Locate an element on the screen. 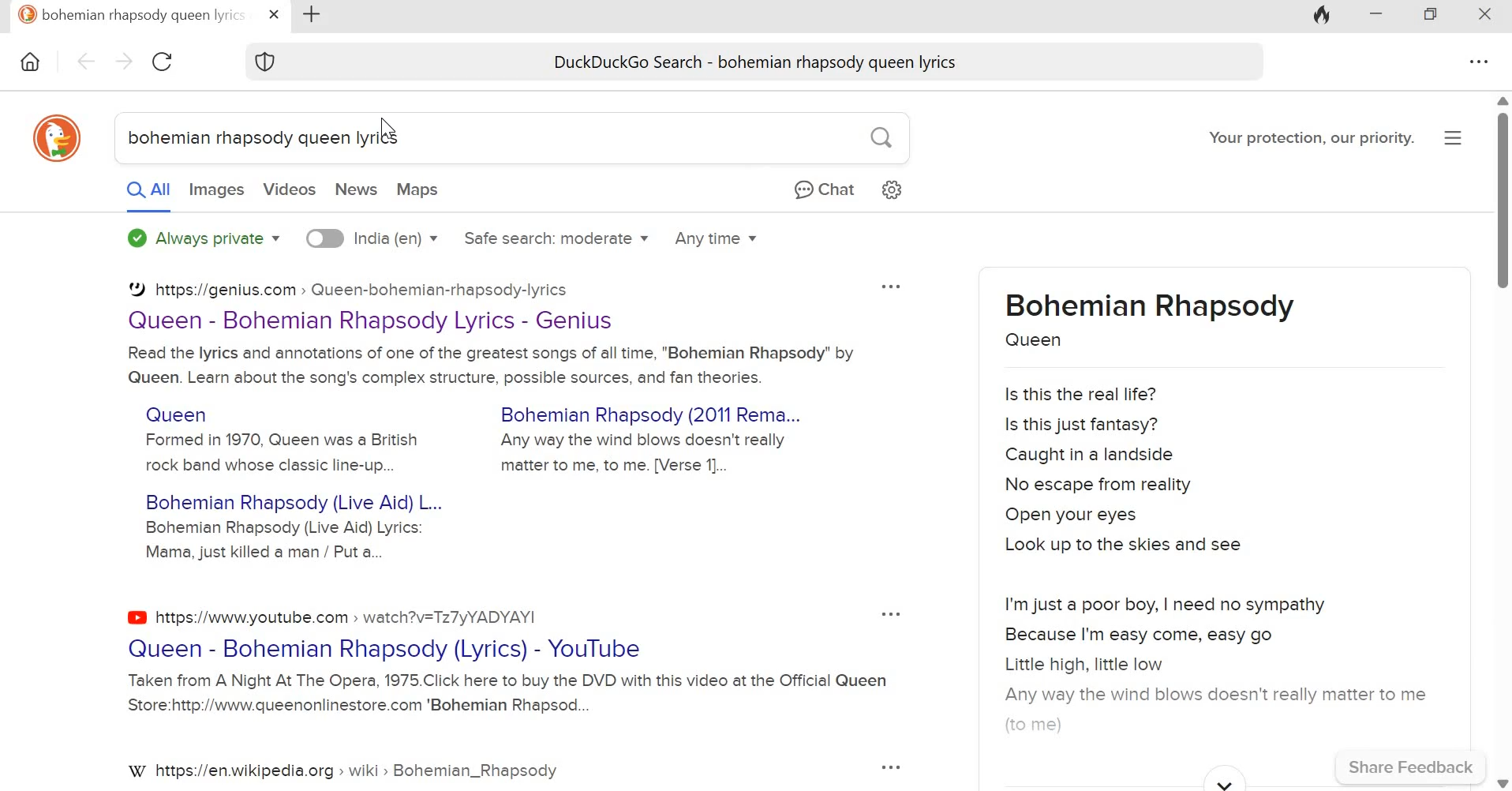 This screenshot has height=791, width=1512. Maps is located at coordinates (417, 189).